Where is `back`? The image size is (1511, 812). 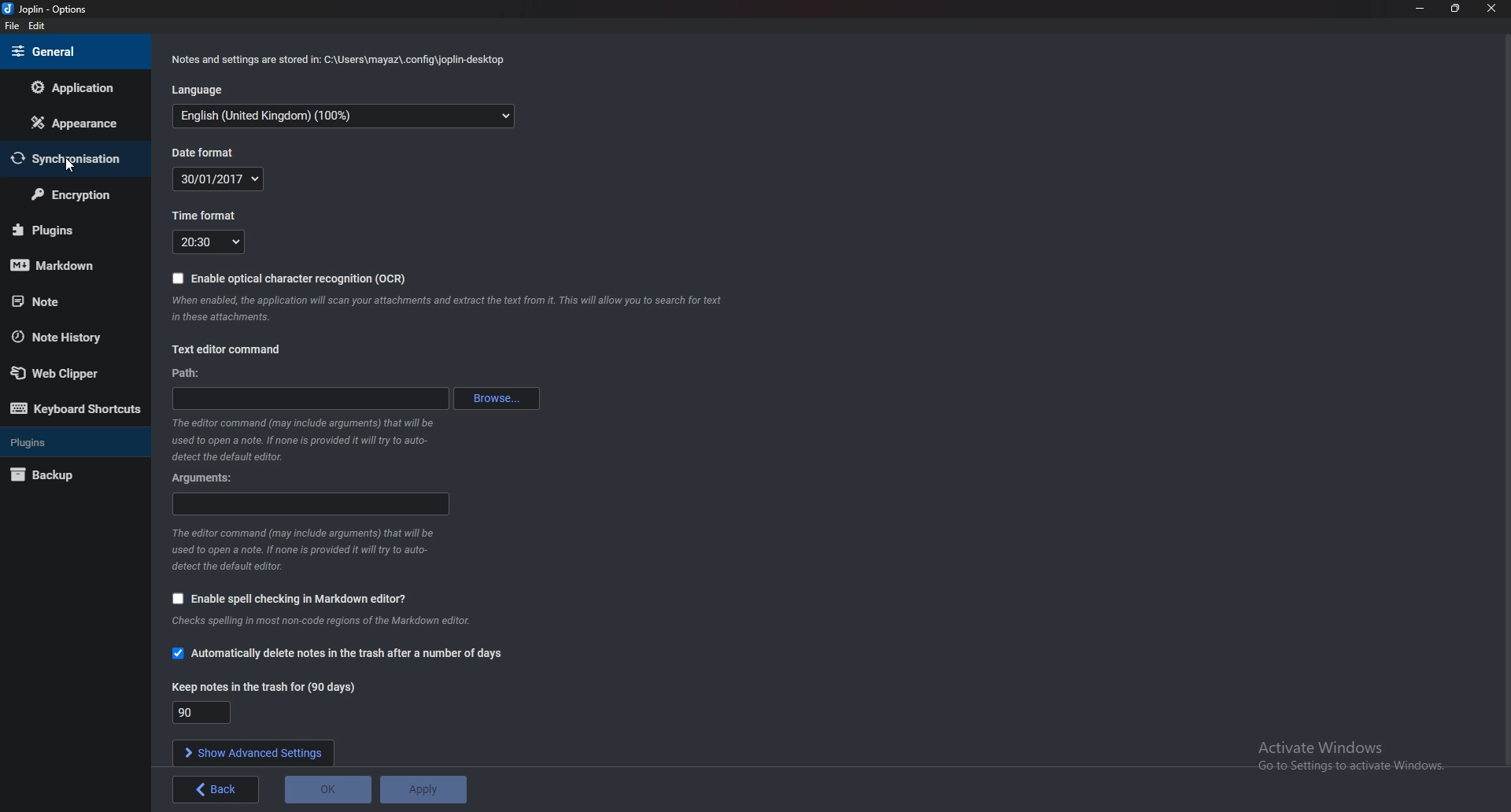 back is located at coordinates (215, 789).